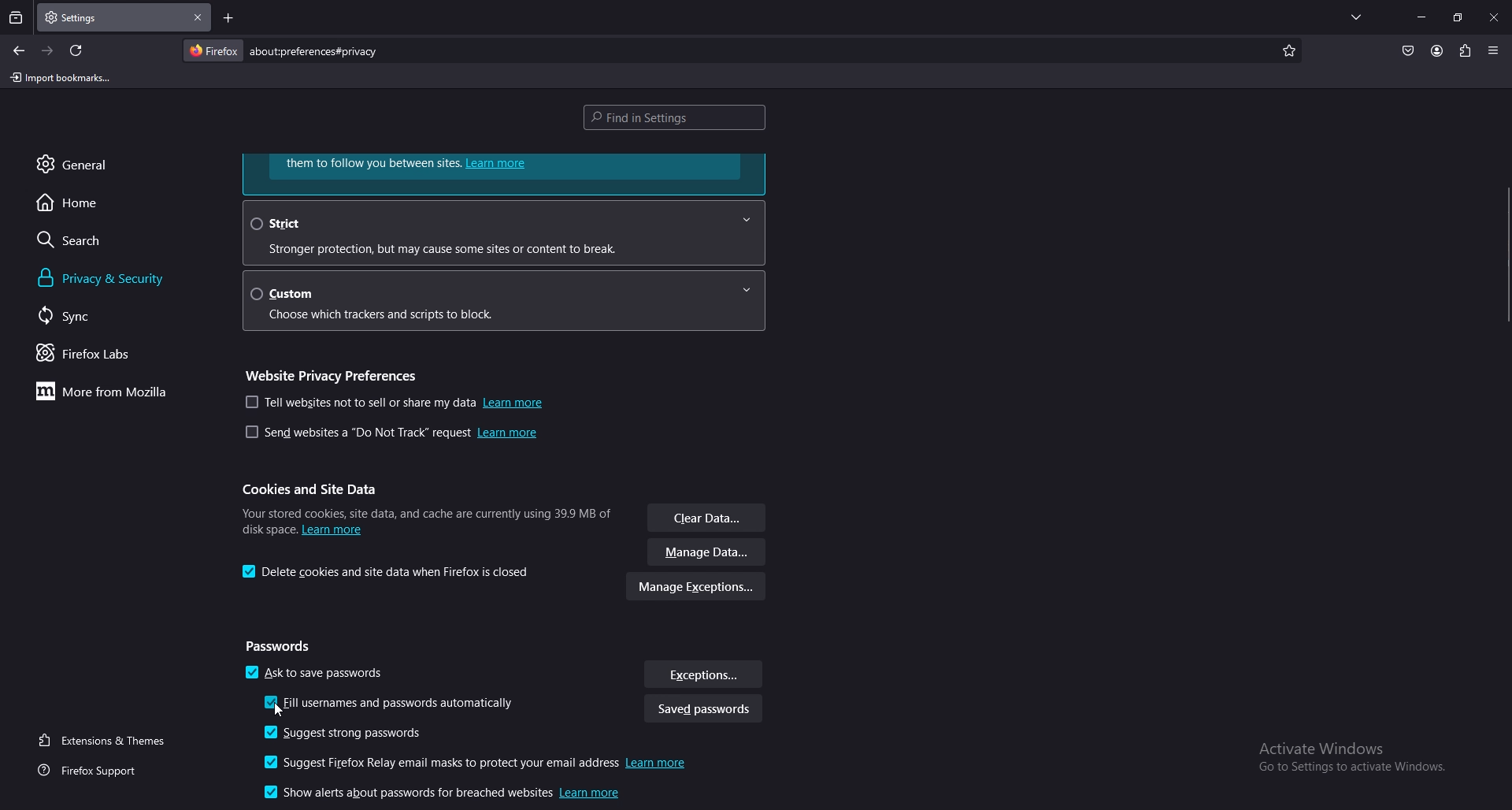 Image resolution: width=1512 pixels, height=810 pixels. I want to click on home, so click(91, 203).